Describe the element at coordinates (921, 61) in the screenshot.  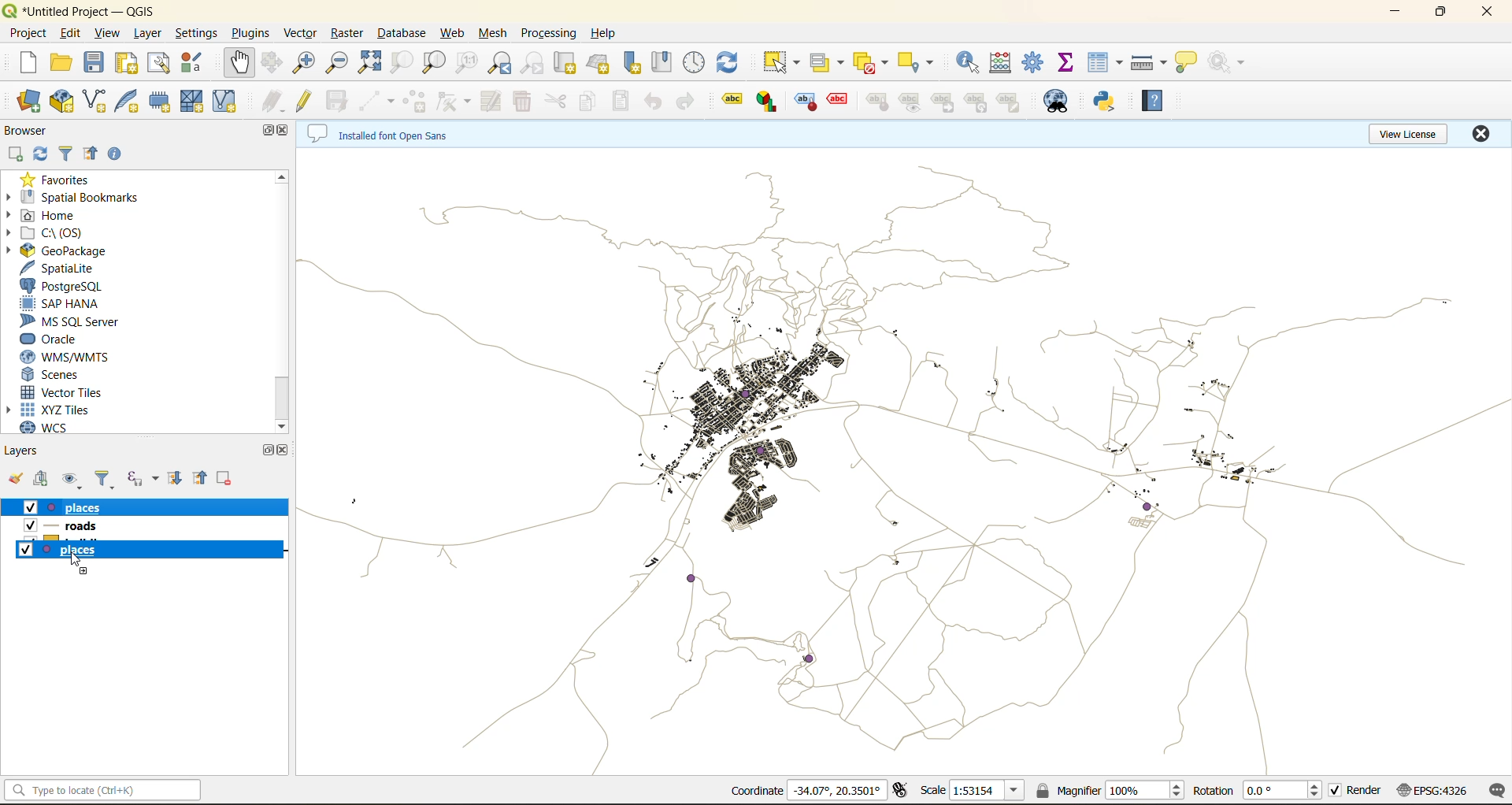
I see `select location` at that location.